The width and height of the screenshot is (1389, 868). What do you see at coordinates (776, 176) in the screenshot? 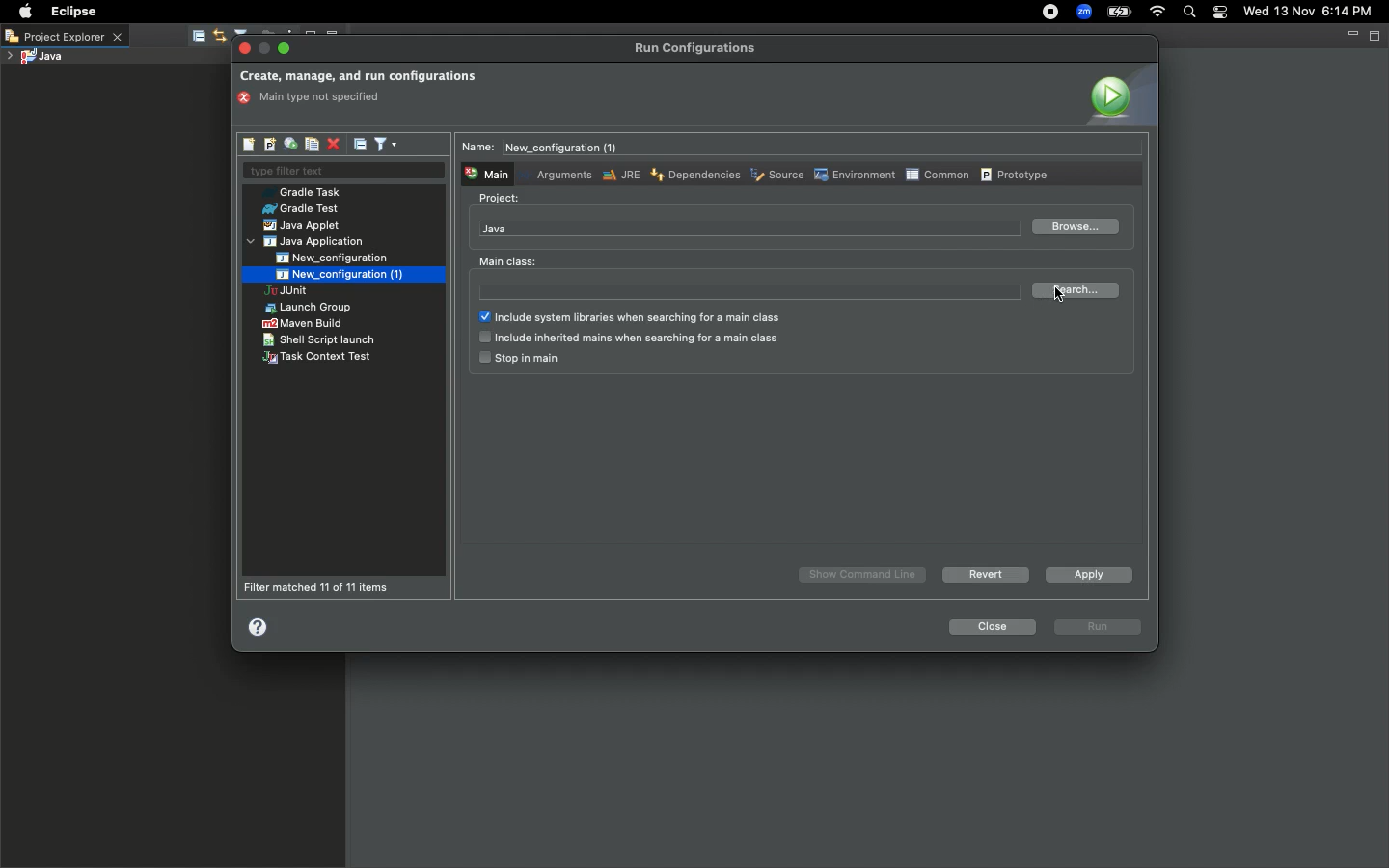
I see `Source` at bounding box center [776, 176].